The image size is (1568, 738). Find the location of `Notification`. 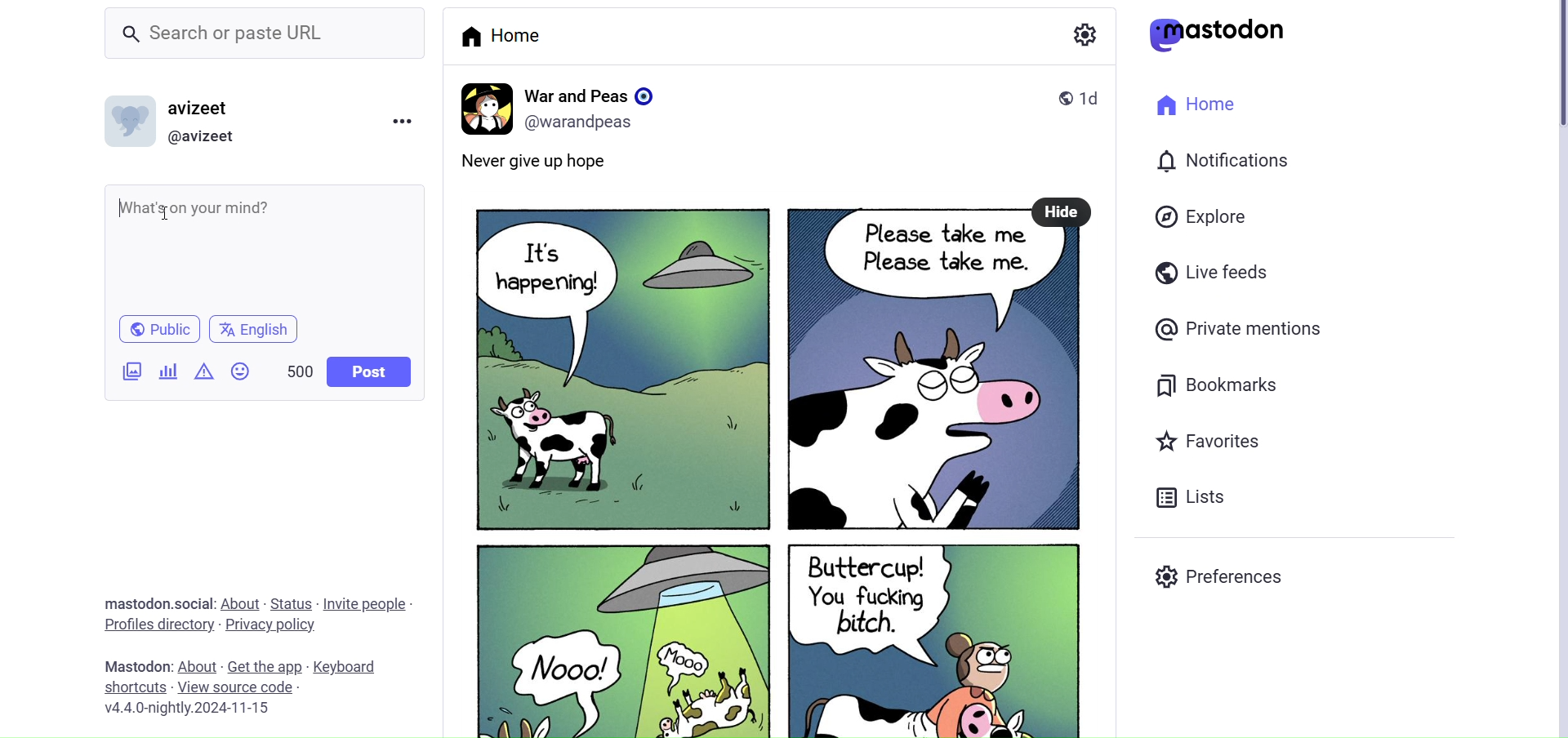

Notification is located at coordinates (1225, 158).